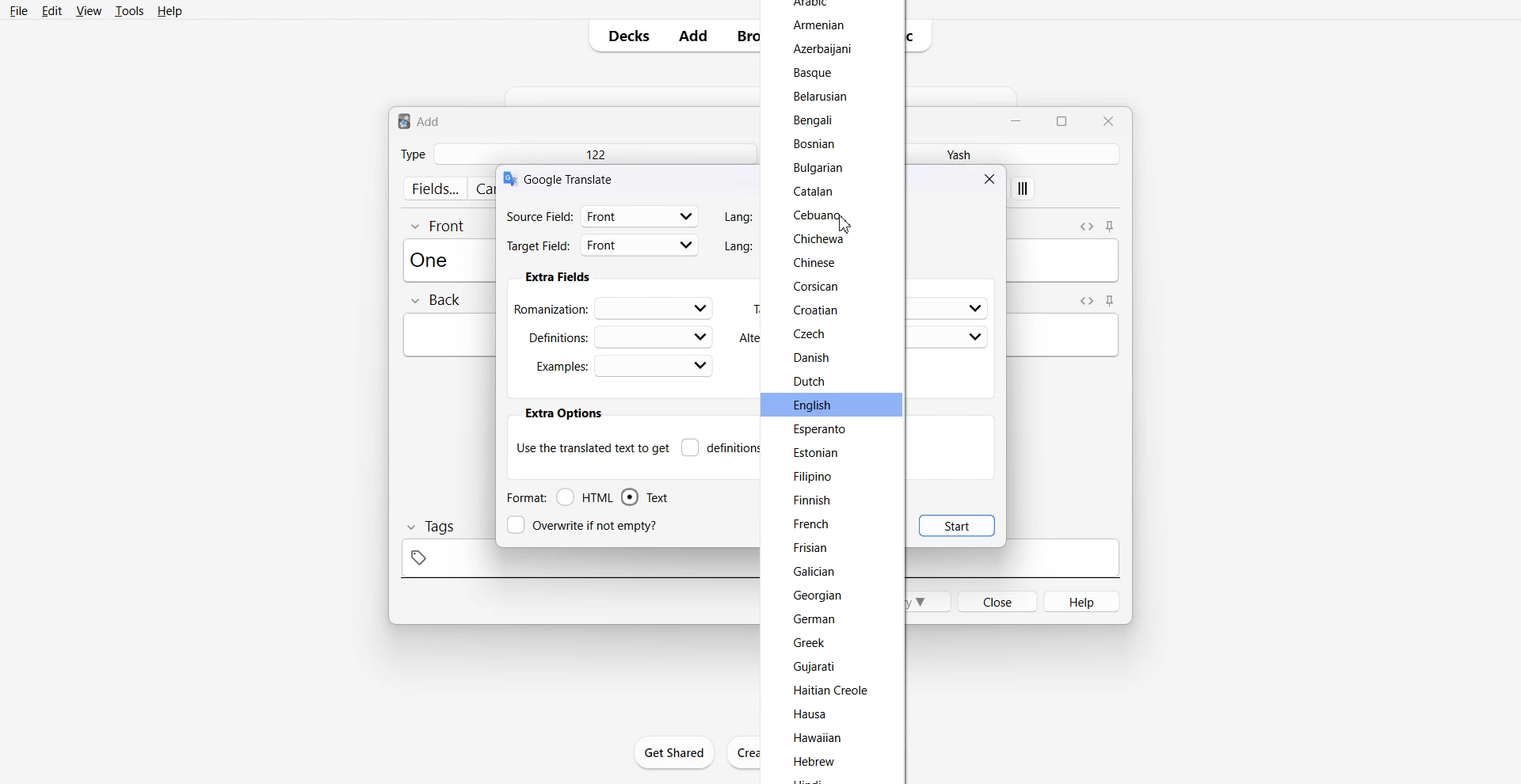  What do you see at coordinates (603, 247) in the screenshot?
I see `Target Field` at bounding box center [603, 247].